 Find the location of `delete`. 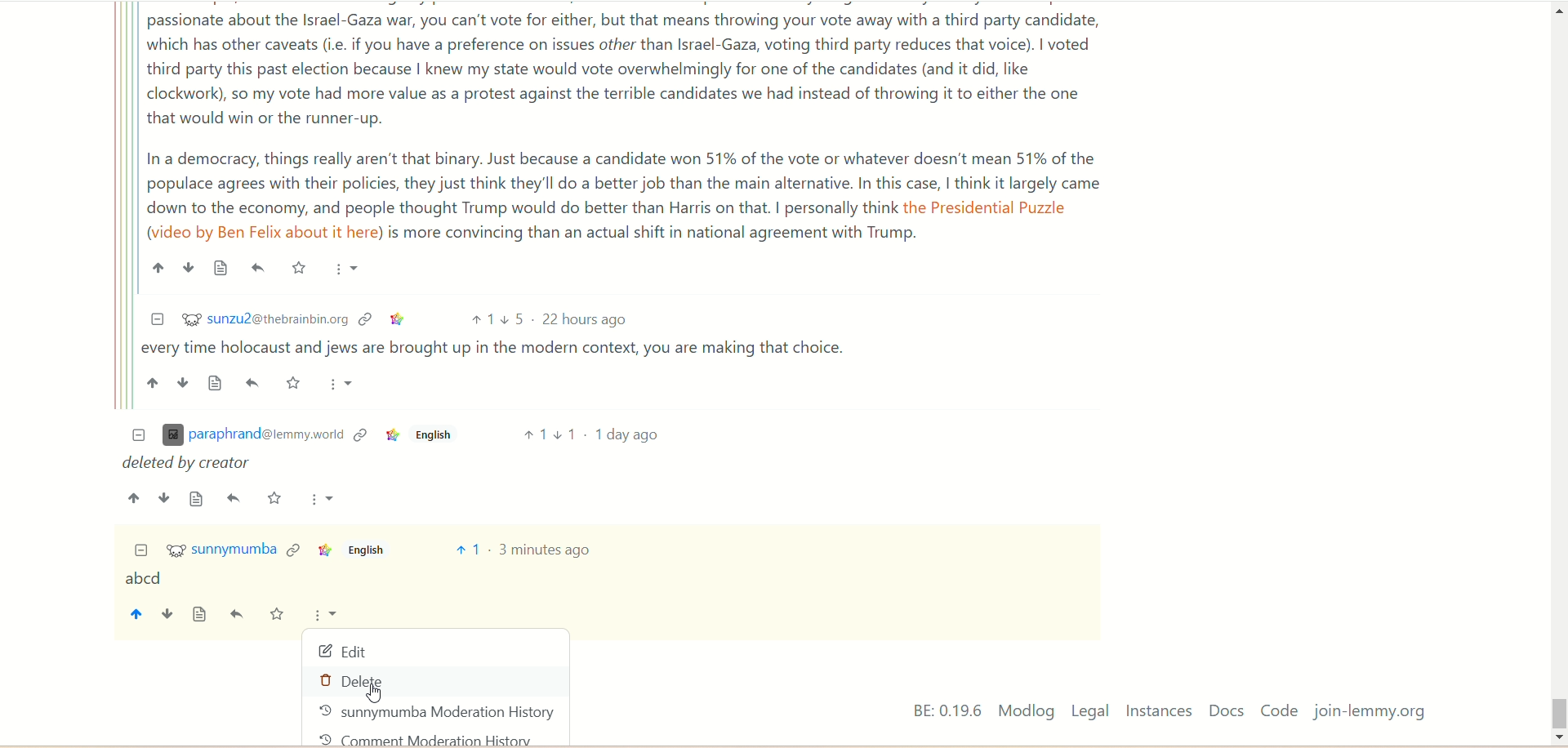

delete is located at coordinates (359, 683).